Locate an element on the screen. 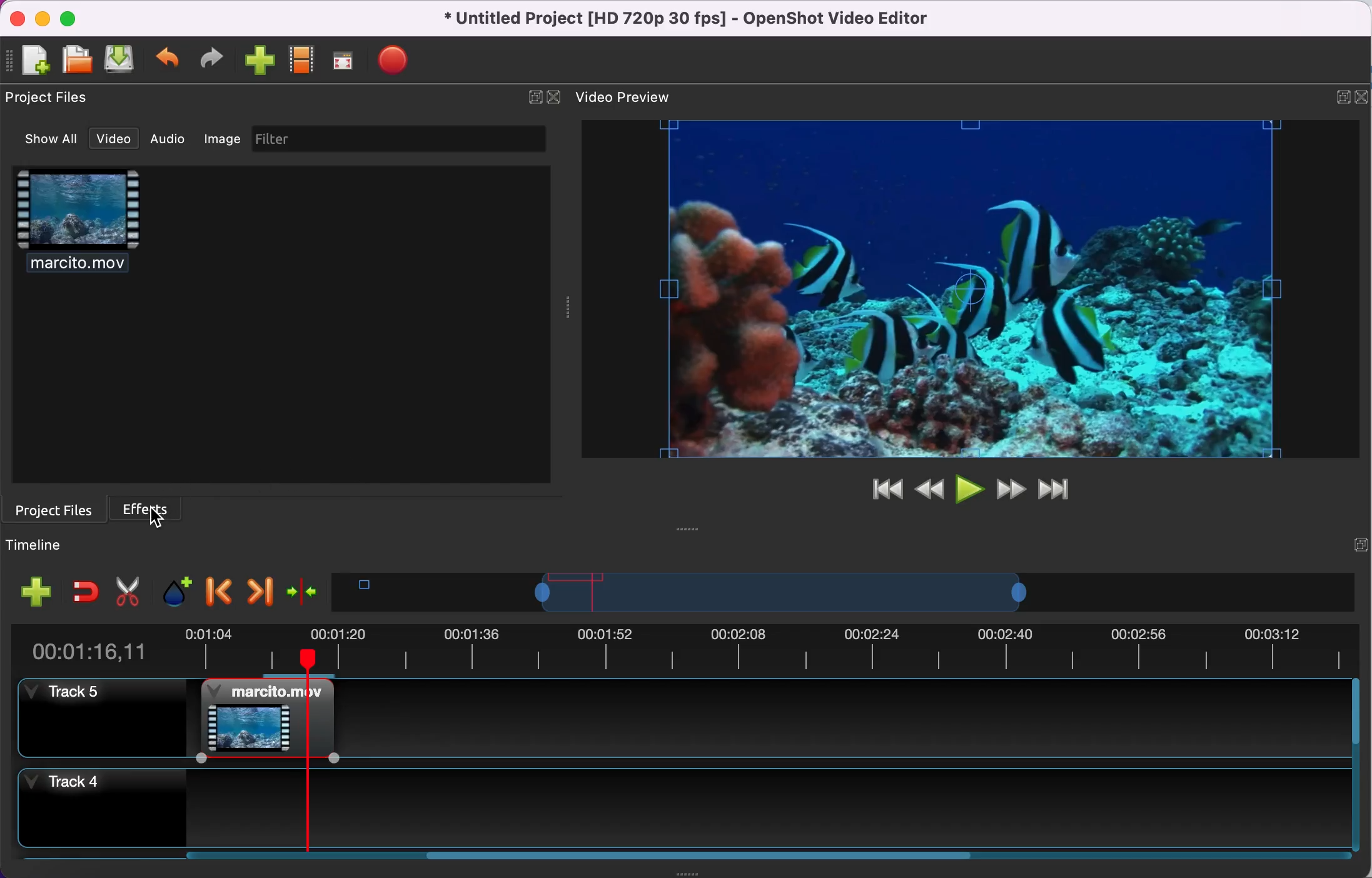 The width and height of the screenshot is (1372, 878). filtr is located at coordinates (393, 139).